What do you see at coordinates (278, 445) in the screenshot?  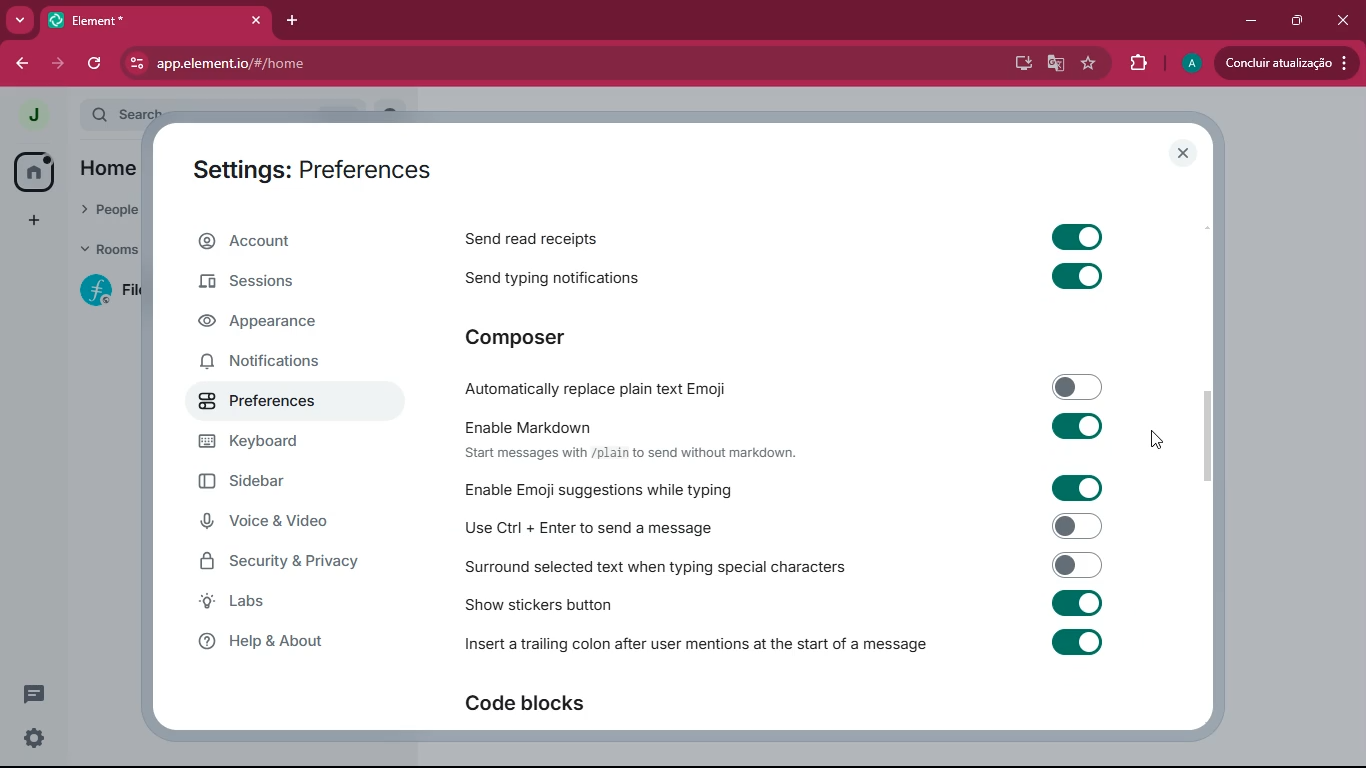 I see `keyboard` at bounding box center [278, 445].